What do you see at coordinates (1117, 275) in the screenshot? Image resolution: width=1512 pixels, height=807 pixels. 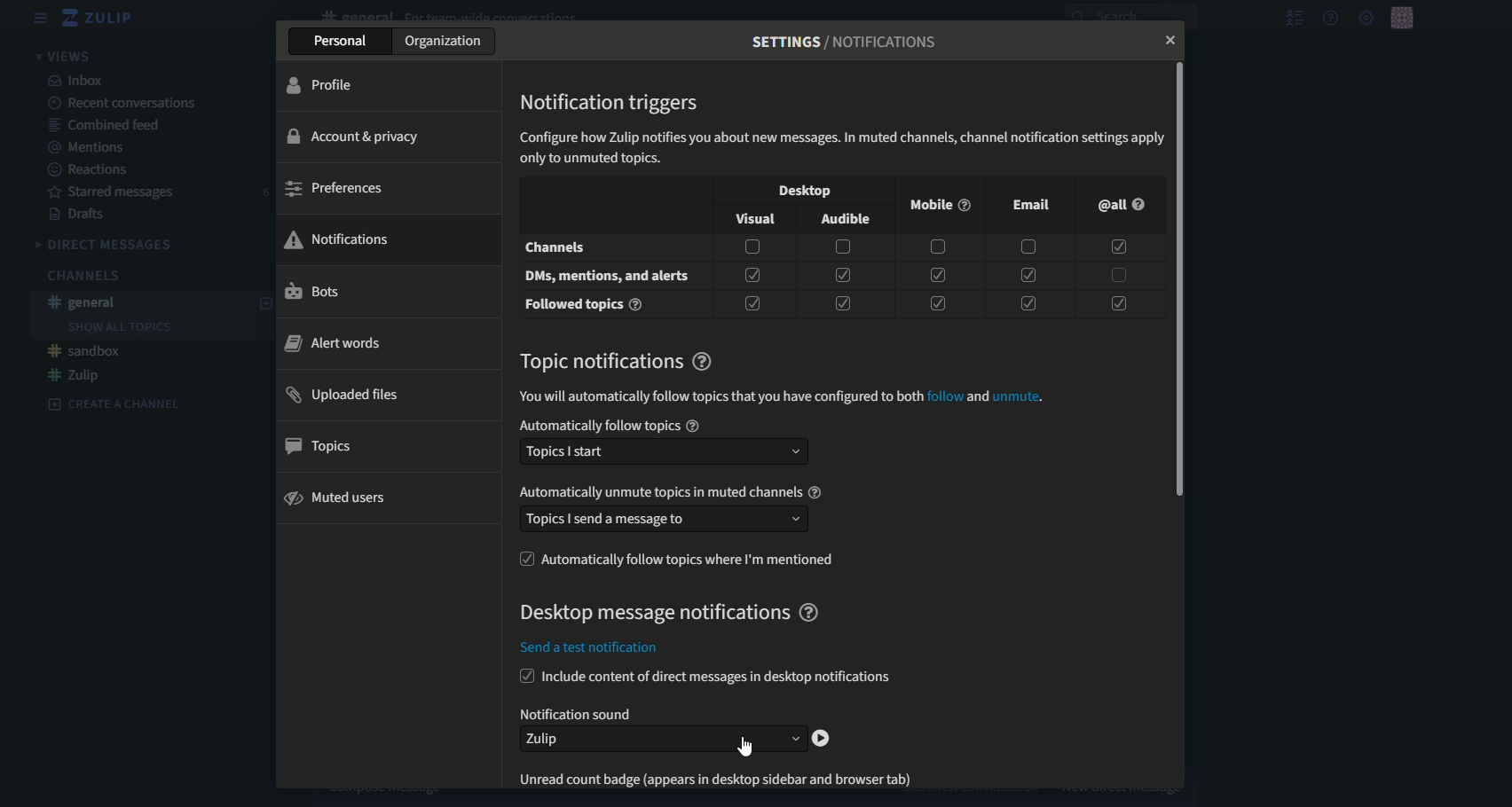 I see `checkbox` at bounding box center [1117, 275].